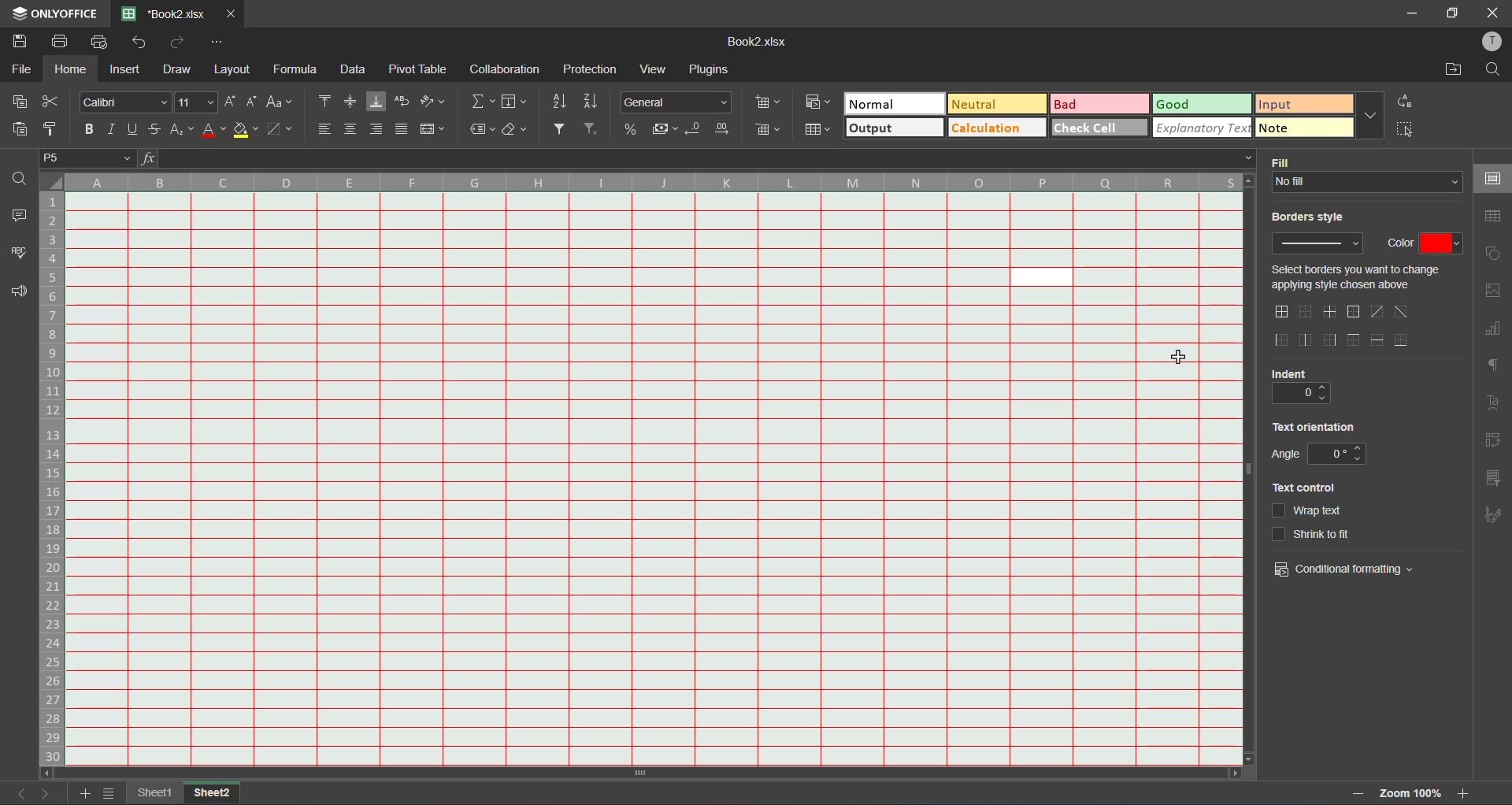 The width and height of the screenshot is (1512, 805). I want to click on copy style, so click(55, 129).